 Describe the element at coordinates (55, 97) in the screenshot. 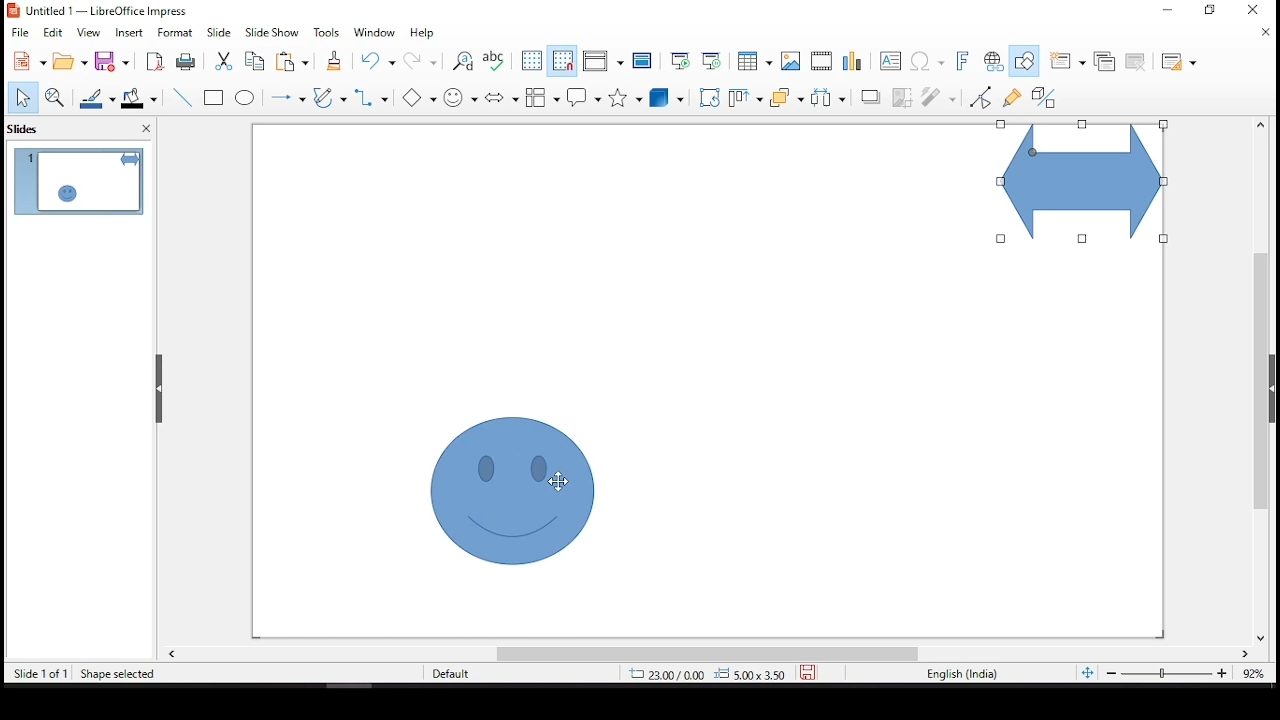

I see `zoom and pan` at that location.